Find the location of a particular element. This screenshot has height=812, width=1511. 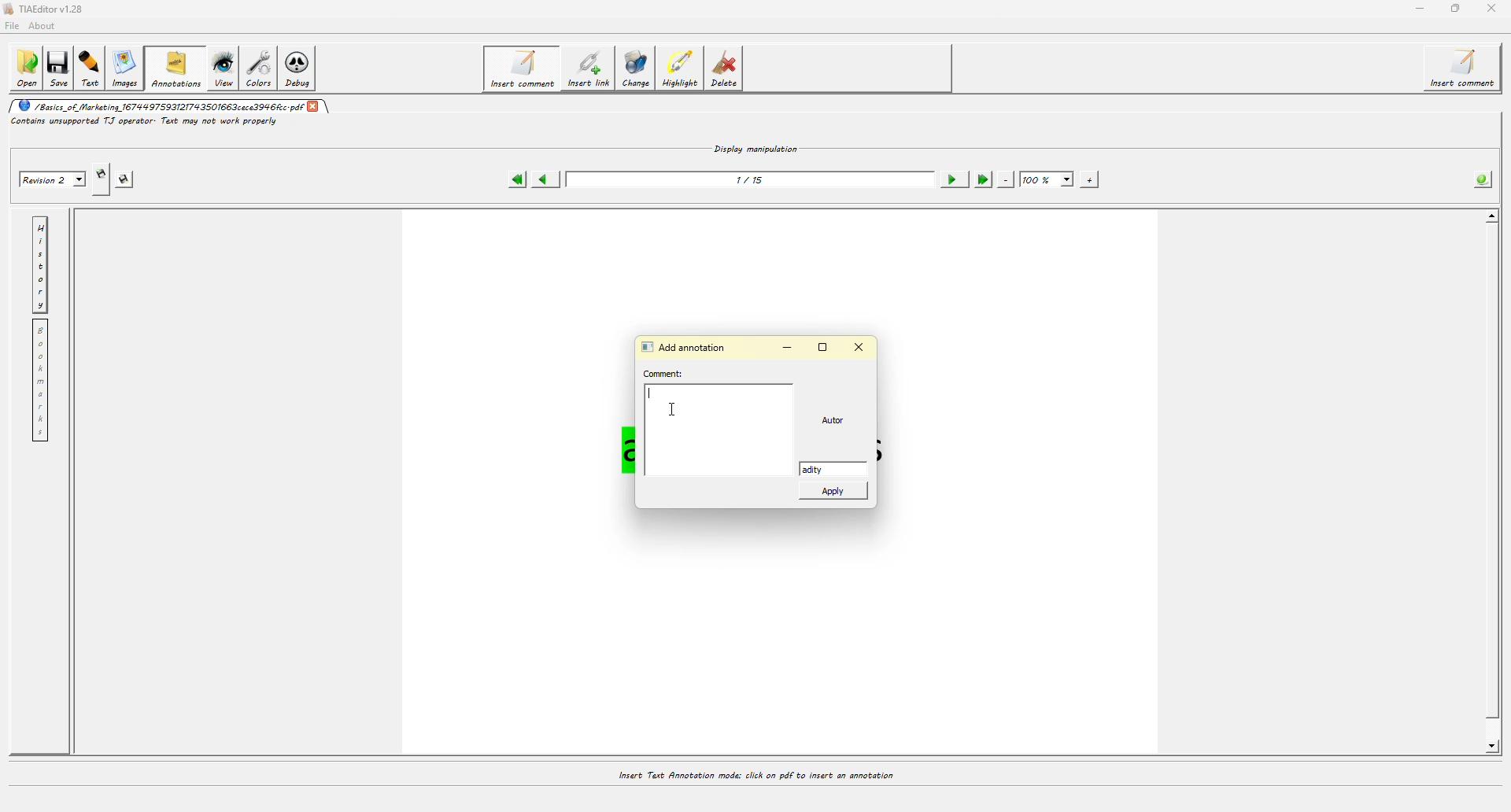

cursor is located at coordinates (673, 412).